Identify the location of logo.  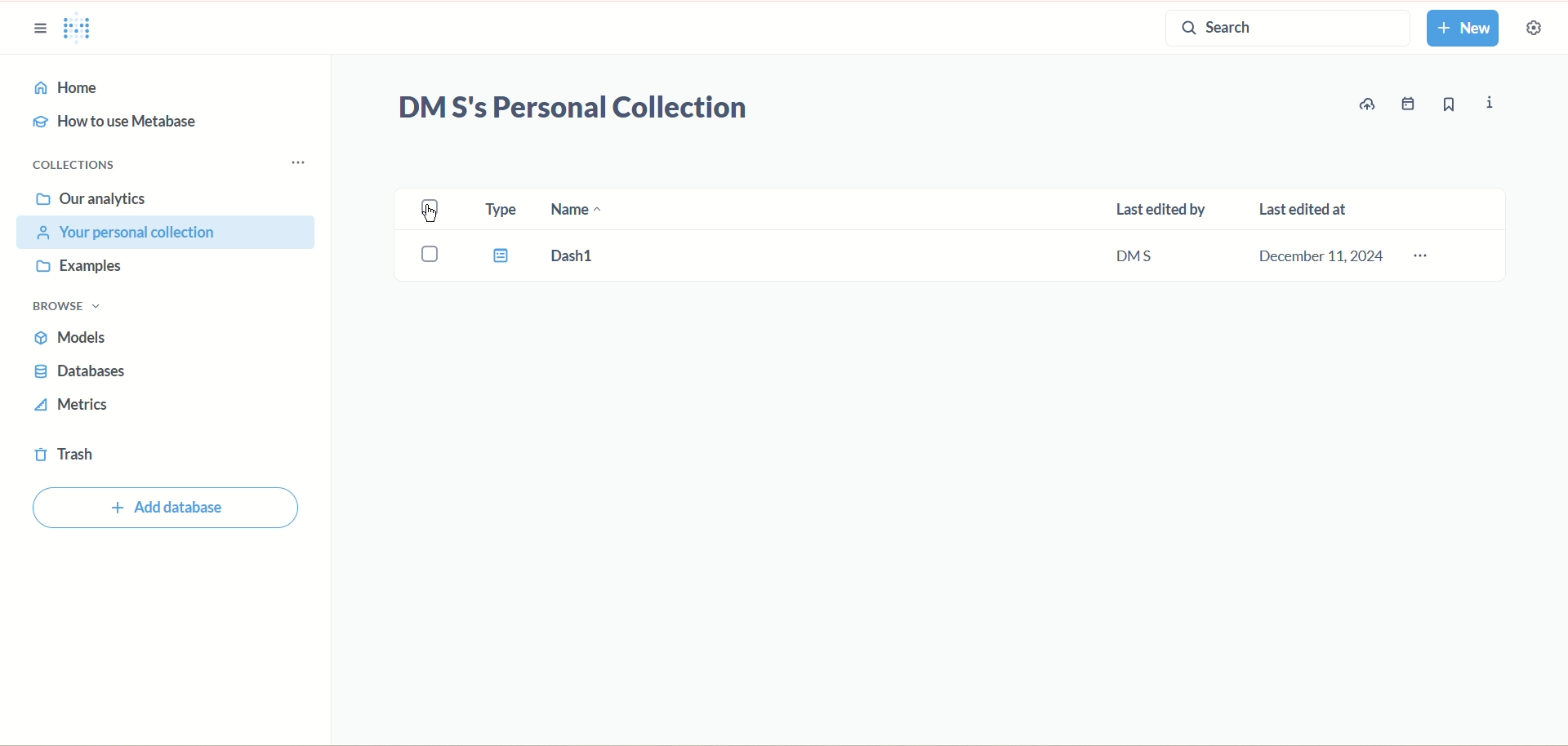
(82, 29).